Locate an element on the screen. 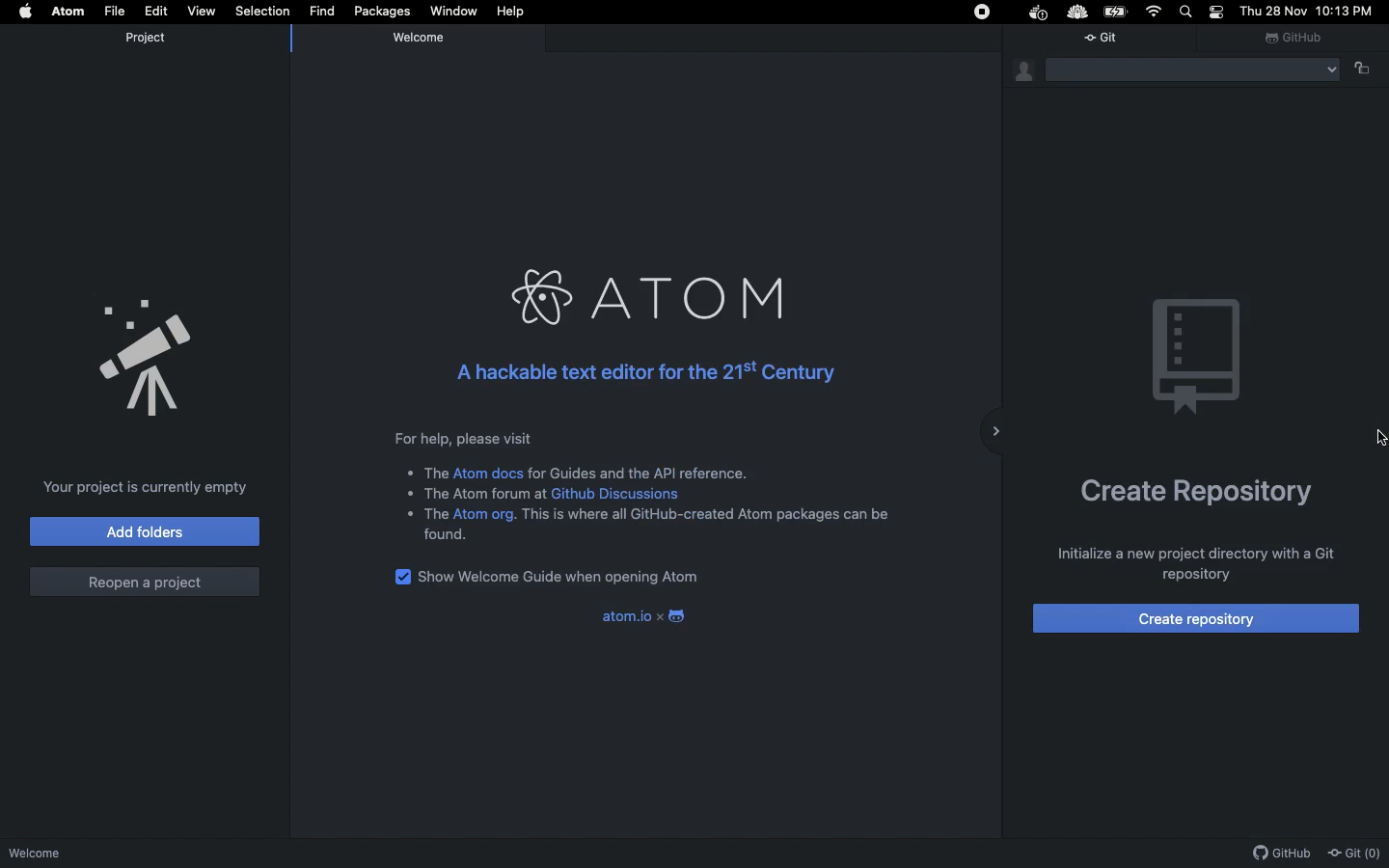 The image size is (1389, 868). atom.io  is located at coordinates (646, 617).